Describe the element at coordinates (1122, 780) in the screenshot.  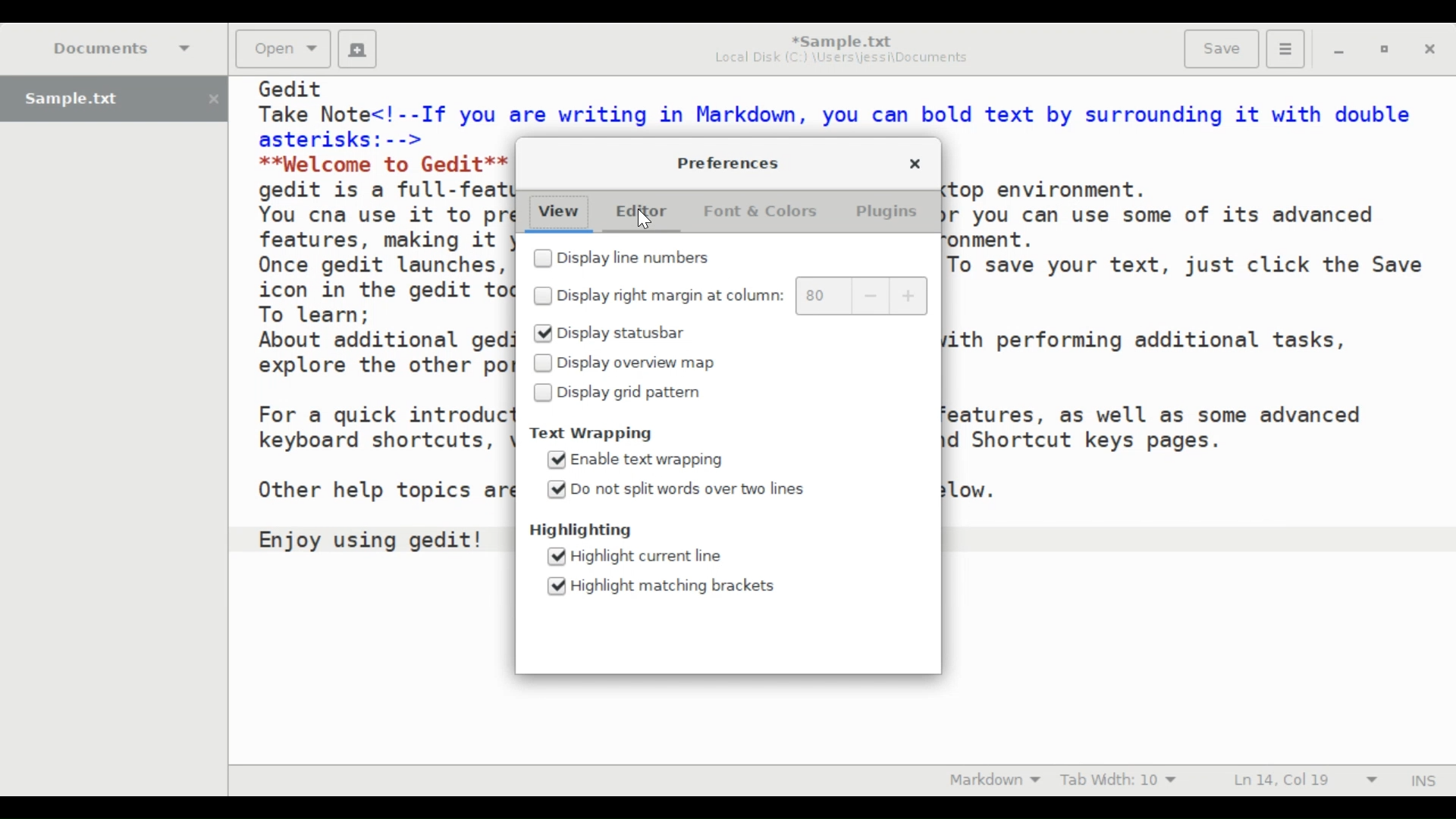
I see `Tab Width: 10` at that location.